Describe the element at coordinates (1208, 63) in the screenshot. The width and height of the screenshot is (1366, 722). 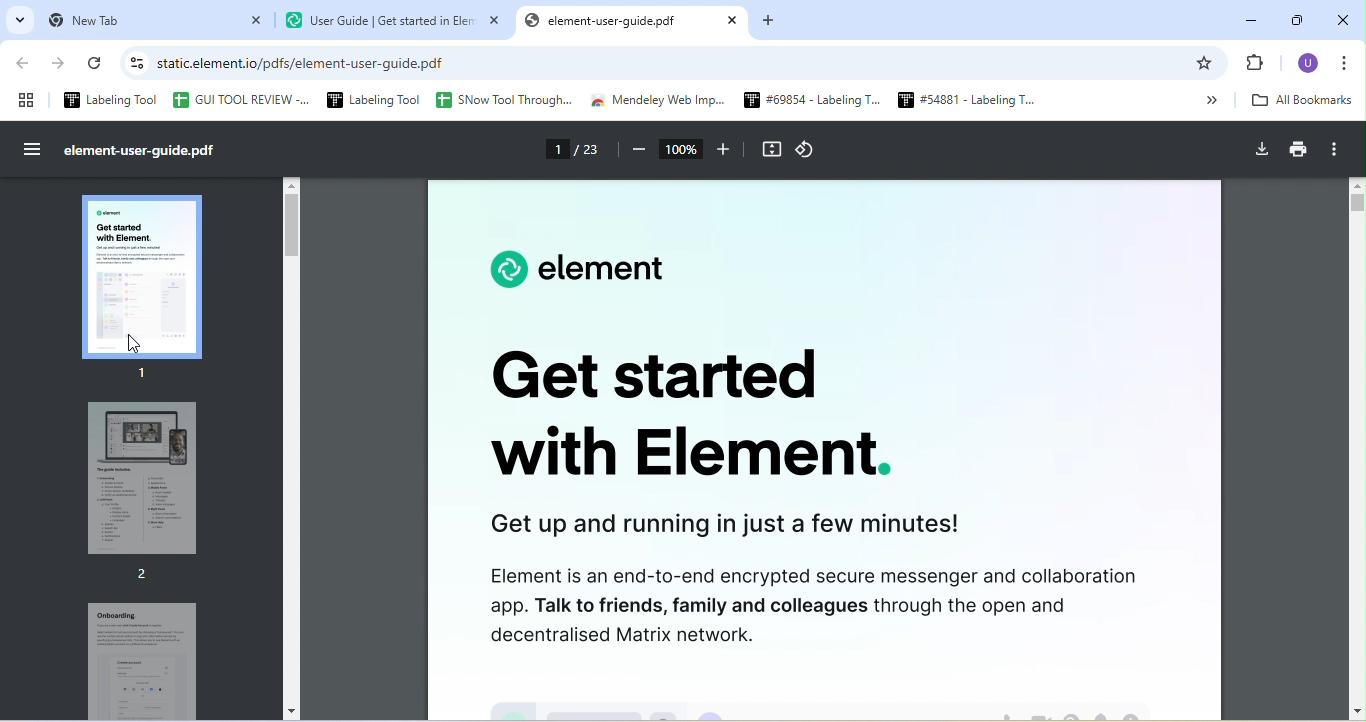
I see `bookmark` at that location.